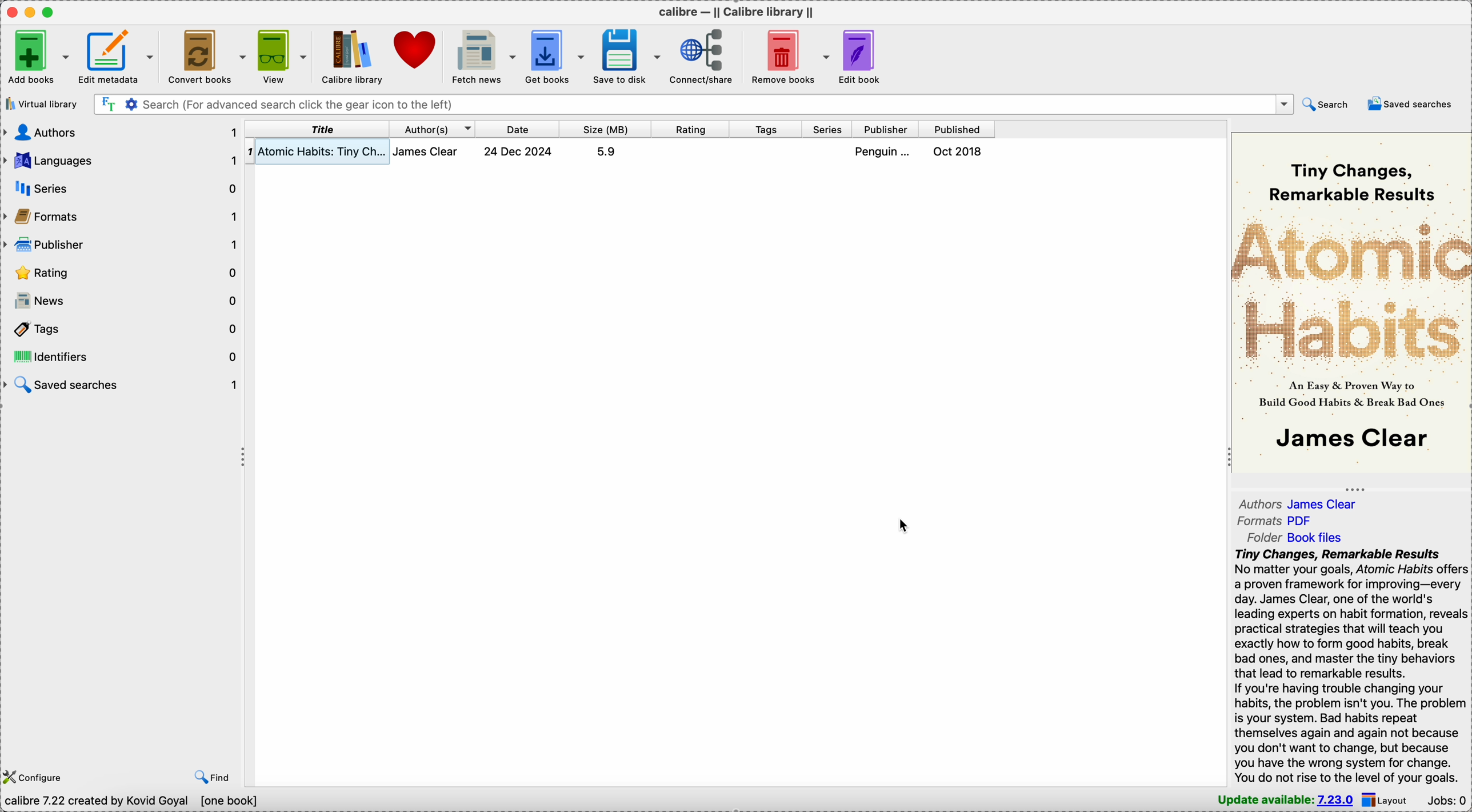  I want to click on date, so click(518, 129).